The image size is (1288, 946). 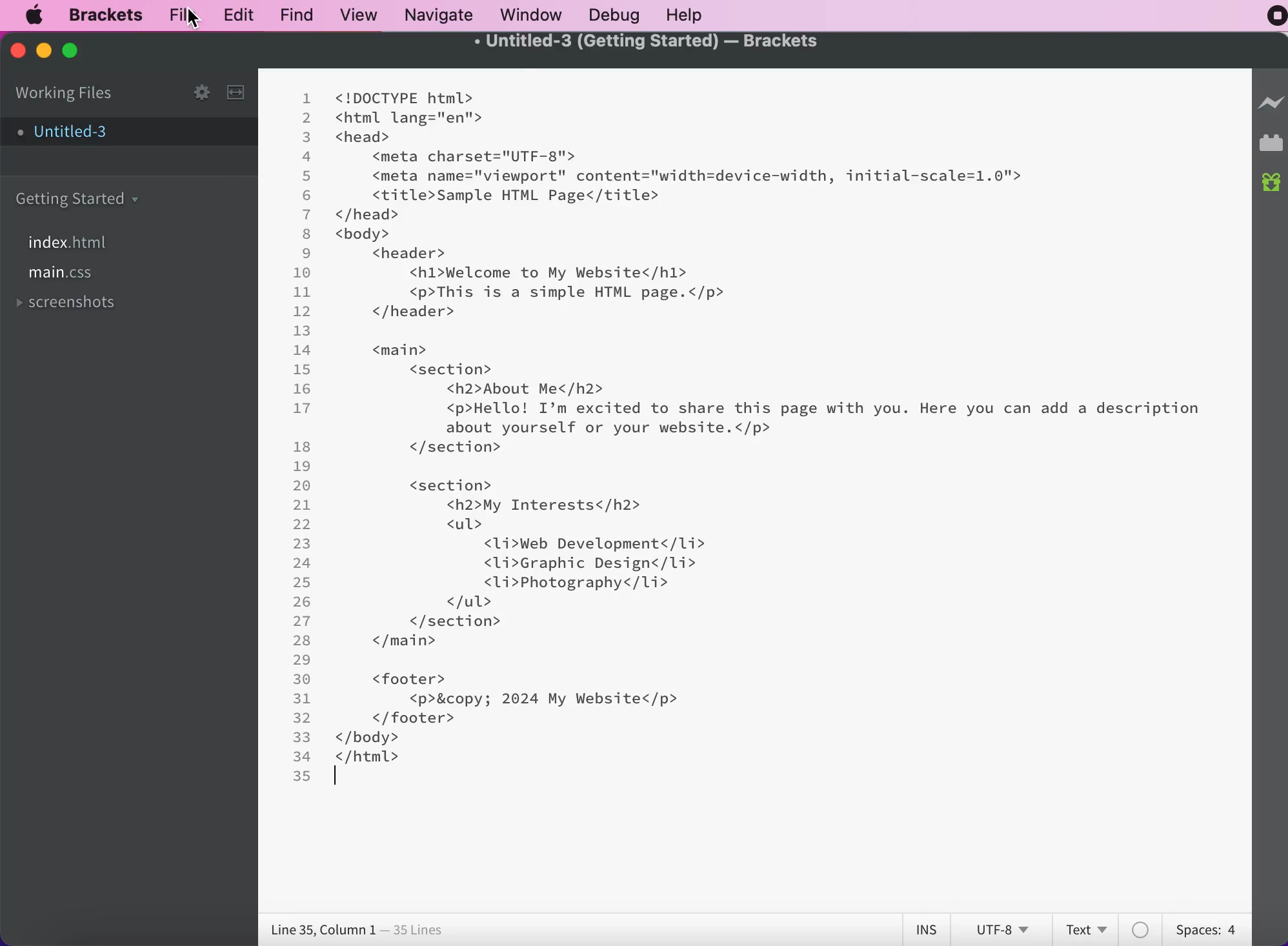 I want to click on 7, so click(x=306, y=215).